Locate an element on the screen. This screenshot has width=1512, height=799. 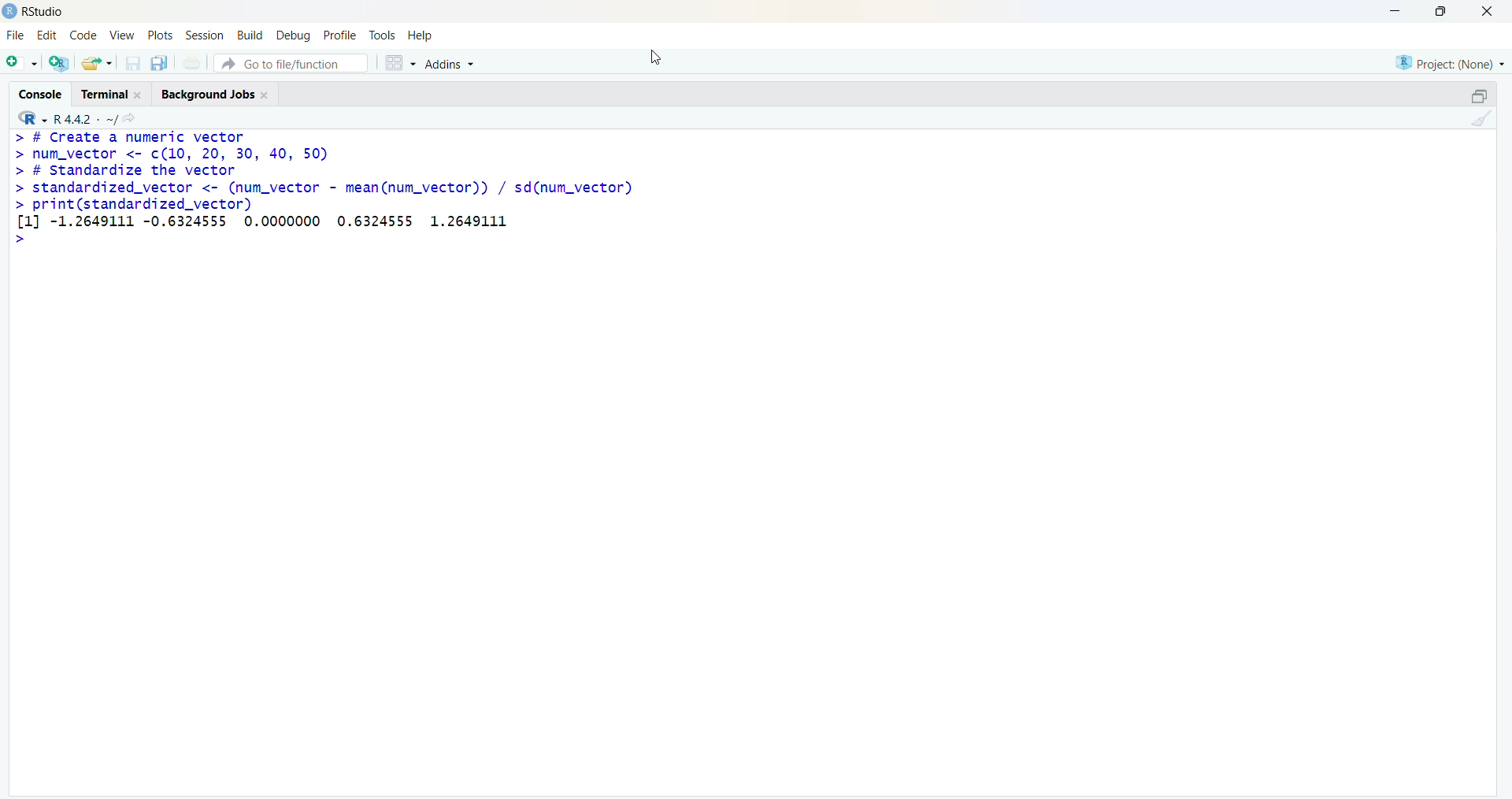
session is located at coordinates (206, 35).